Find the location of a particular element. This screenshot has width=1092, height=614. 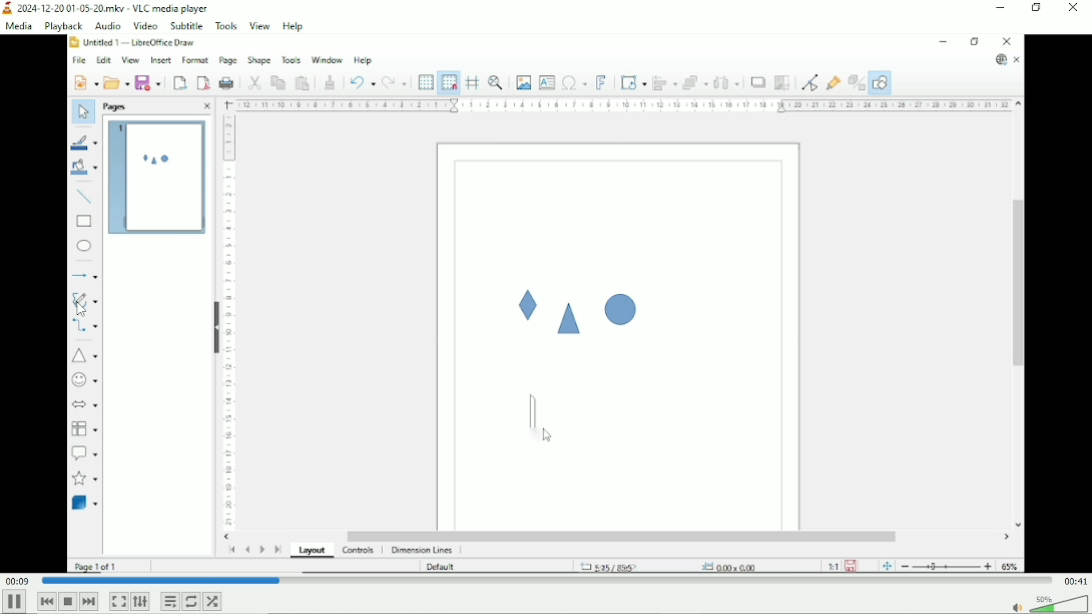

Show extended settings is located at coordinates (141, 601).